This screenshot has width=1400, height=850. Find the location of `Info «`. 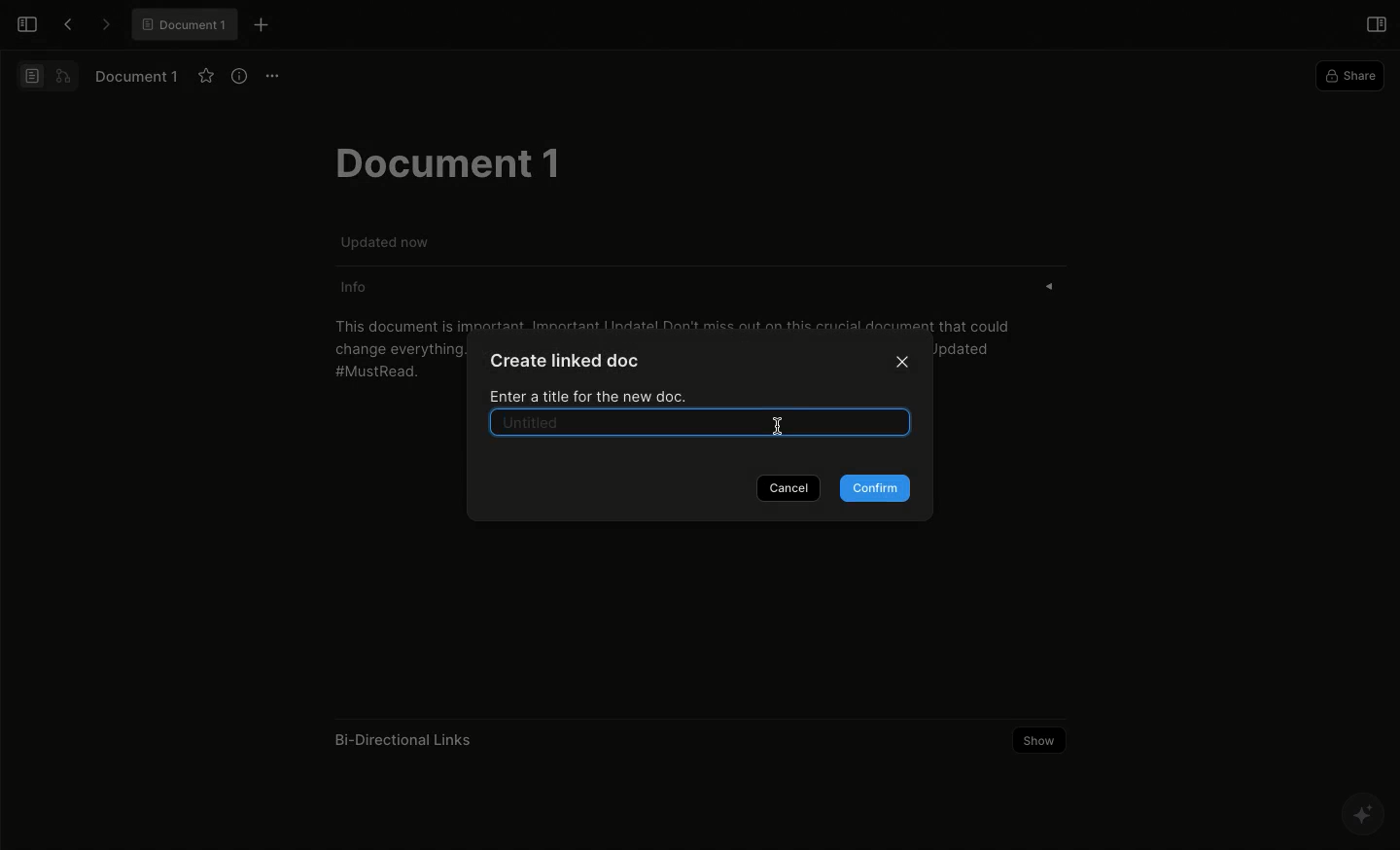

Info « is located at coordinates (717, 288).